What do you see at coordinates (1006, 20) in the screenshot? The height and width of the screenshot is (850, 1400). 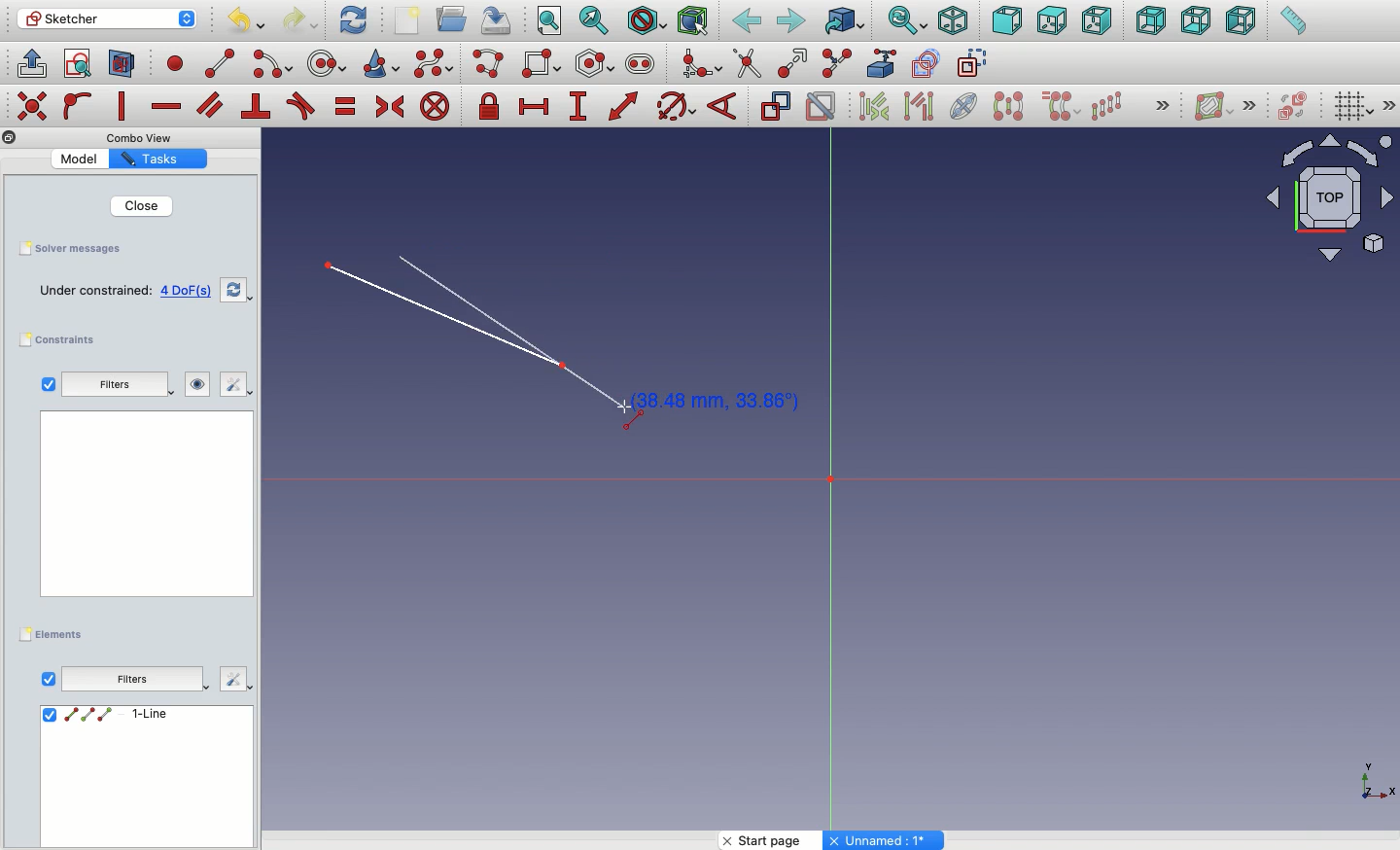 I see `Front` at bounding box center [1006, 20].